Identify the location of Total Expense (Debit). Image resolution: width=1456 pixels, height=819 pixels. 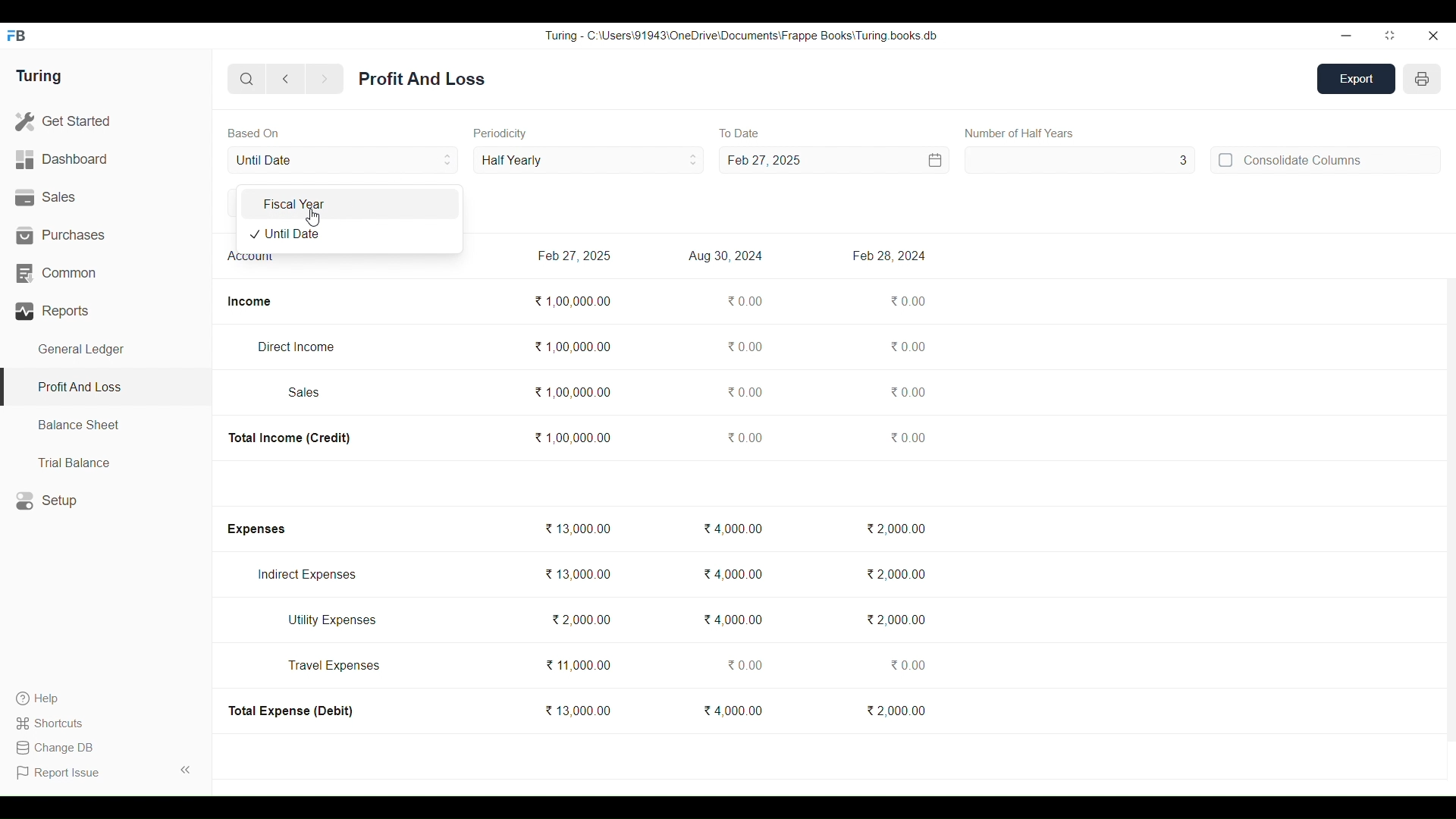
(292, 711).